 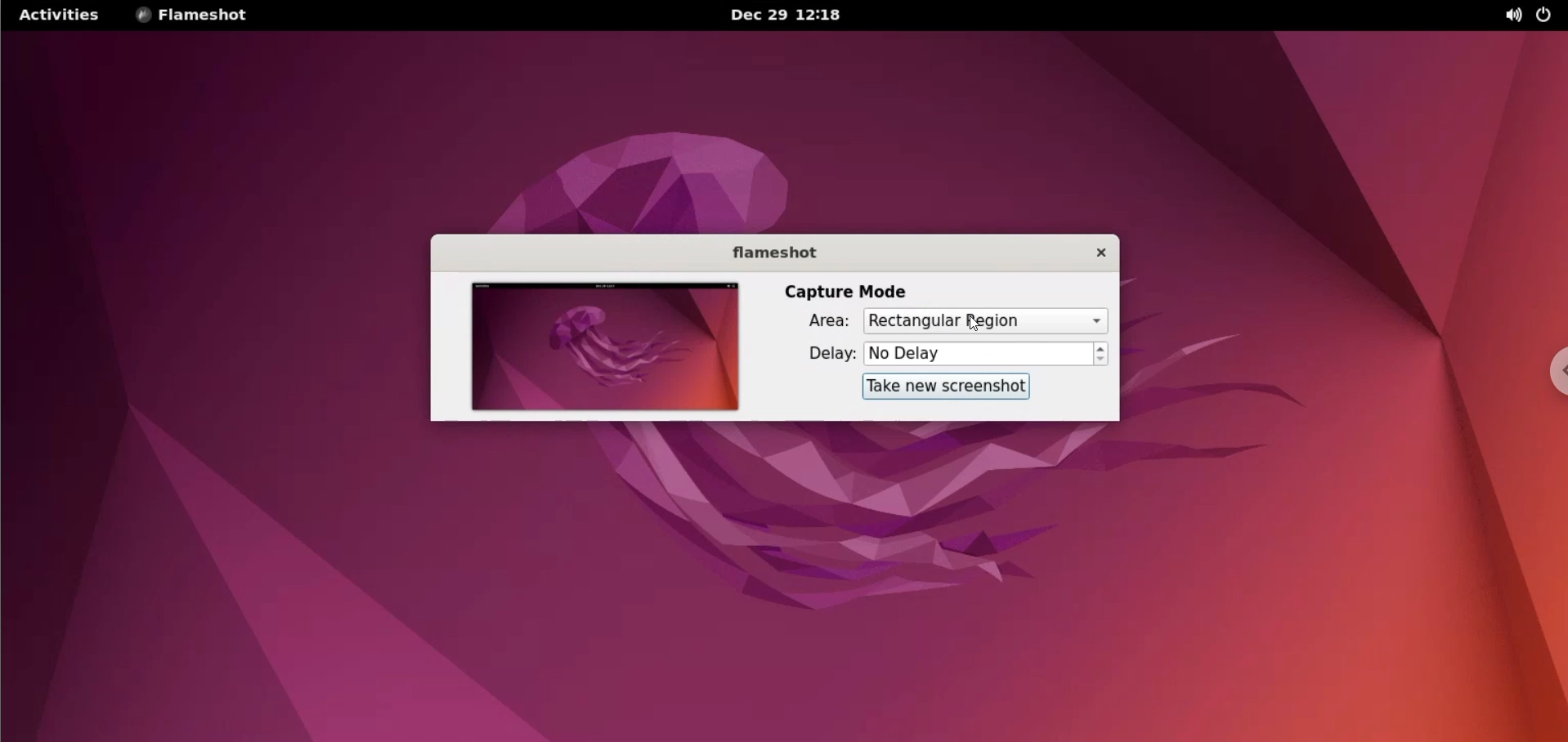 I want to click on sound options, so click(x=1512, y=17).